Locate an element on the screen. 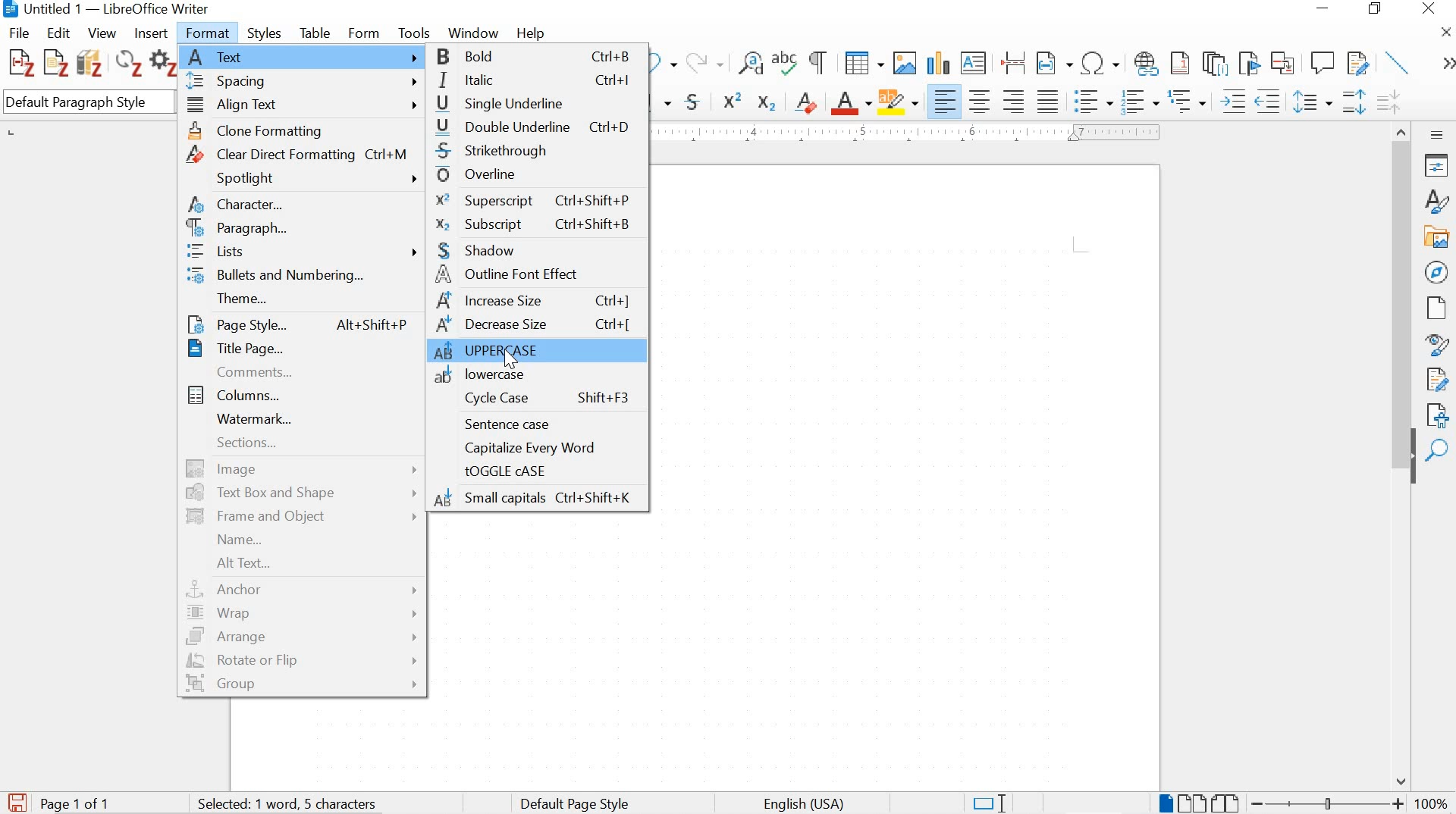 The image size is (1456, 814). format is located at coordinates (210, 31).